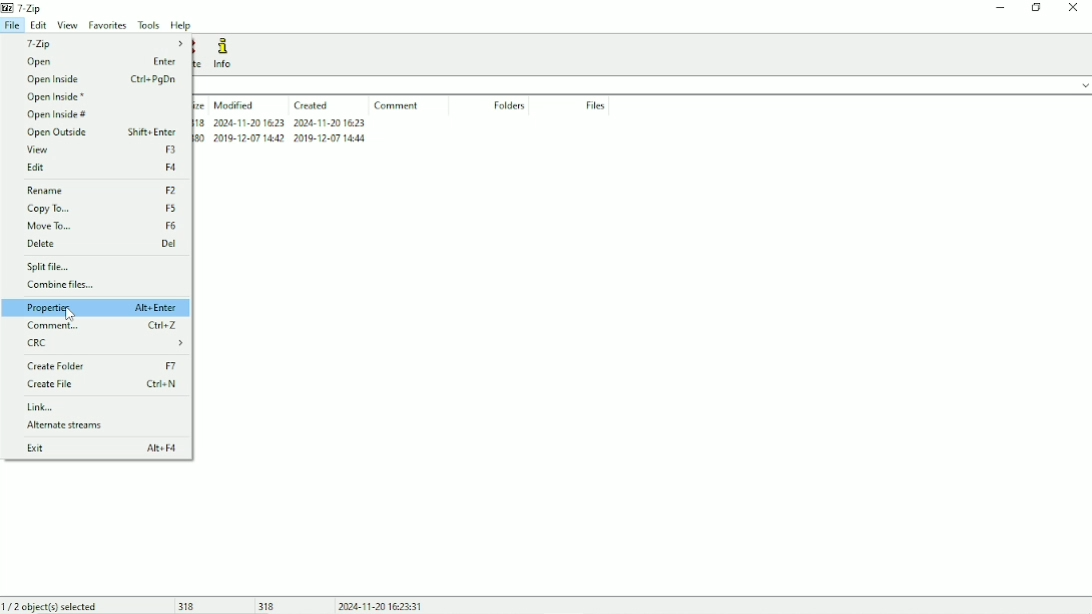 The height and width of the screenshot is (614, 1092). I want to click on Files, so click(596, 106).